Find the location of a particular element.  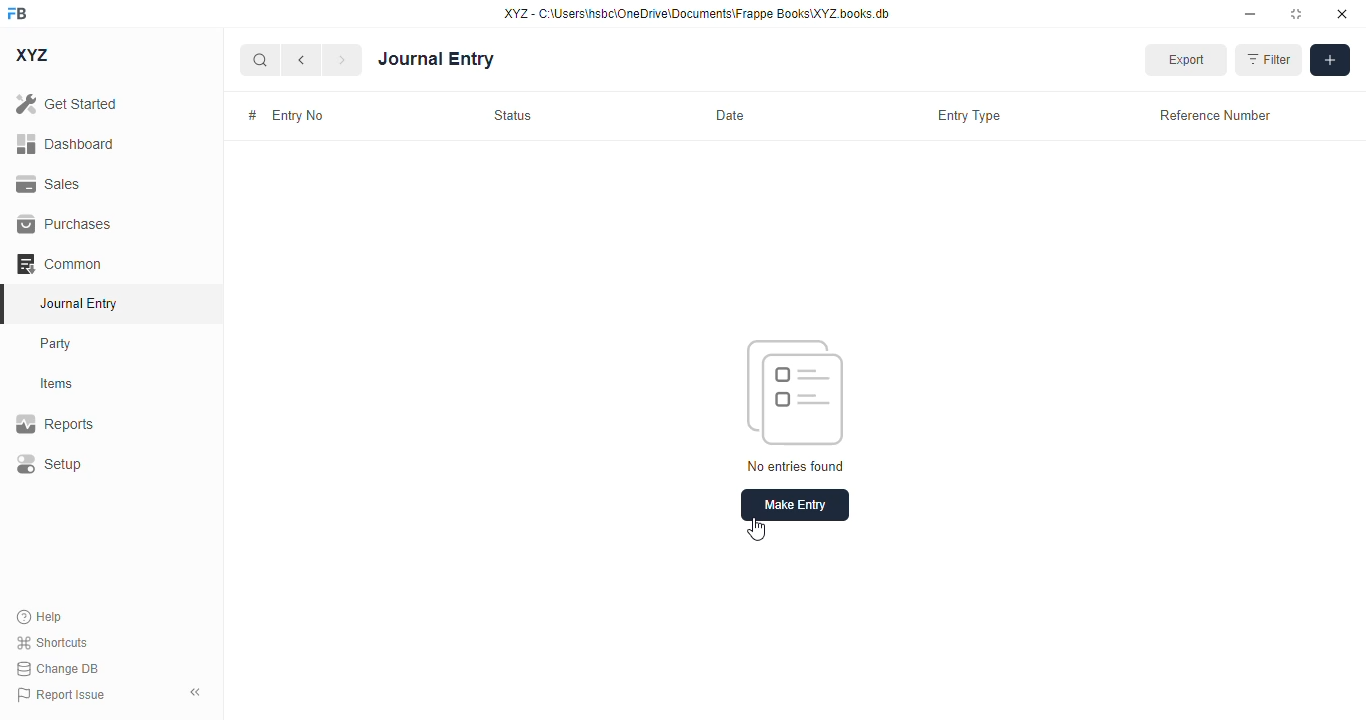

cursor is located at coordinates (756, 529).